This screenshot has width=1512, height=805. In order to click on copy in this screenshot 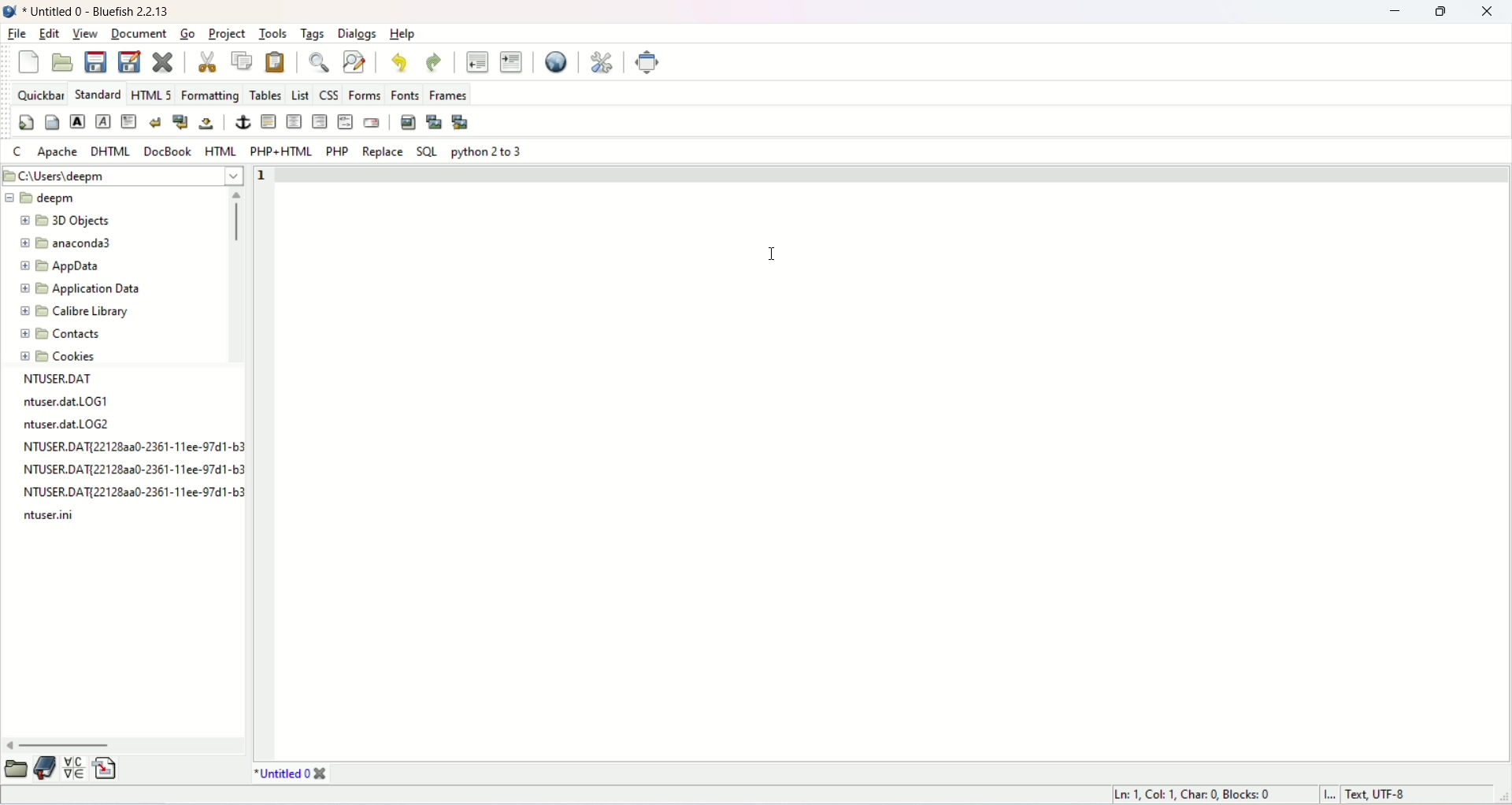, I will do `click(238, 64)`.